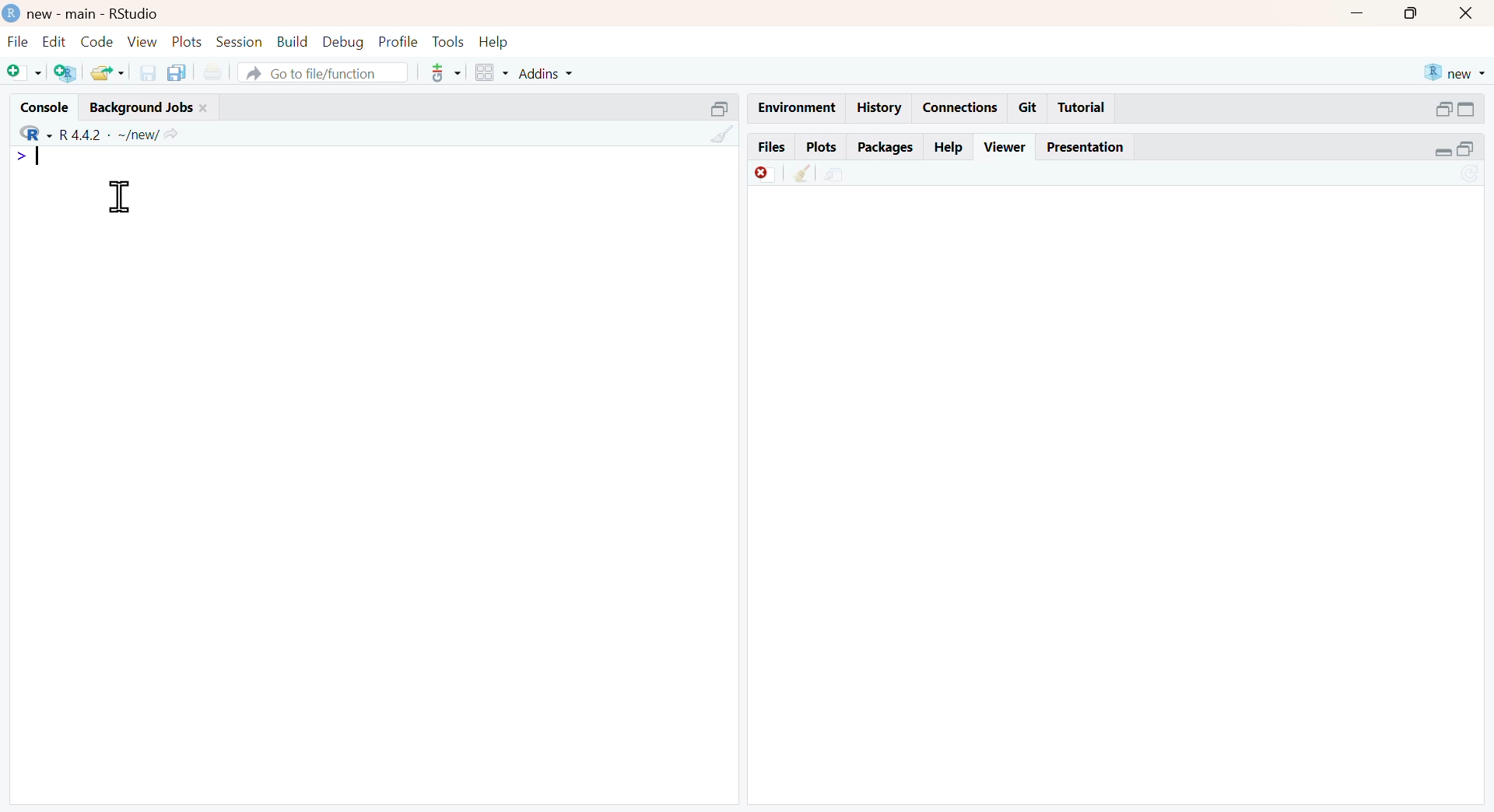  What do you see at coordinates (93, 15) in the screenshot?
I see `new - main - RStudio` at bounding box center [93, 15].